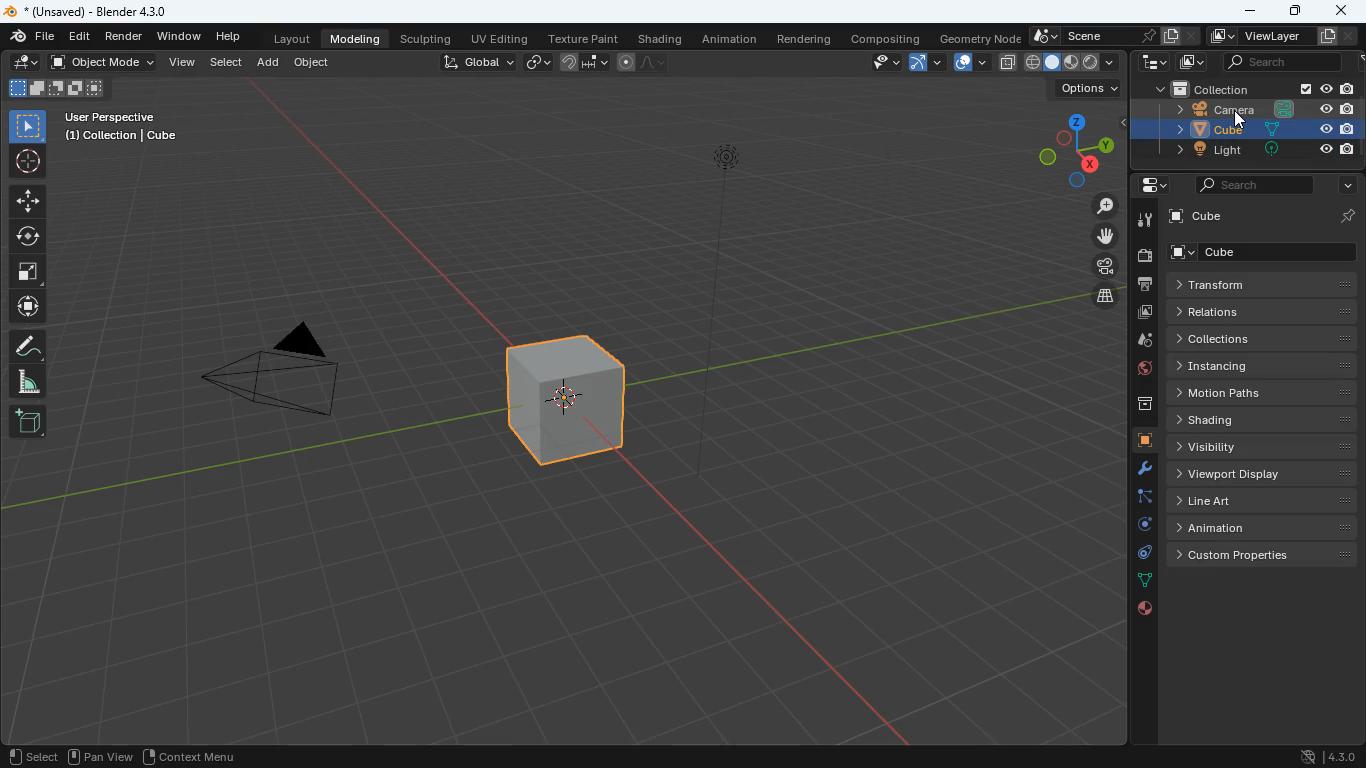  Describe the element at coordinates (1103, 269) in the screenshot. I see `film` at that location.